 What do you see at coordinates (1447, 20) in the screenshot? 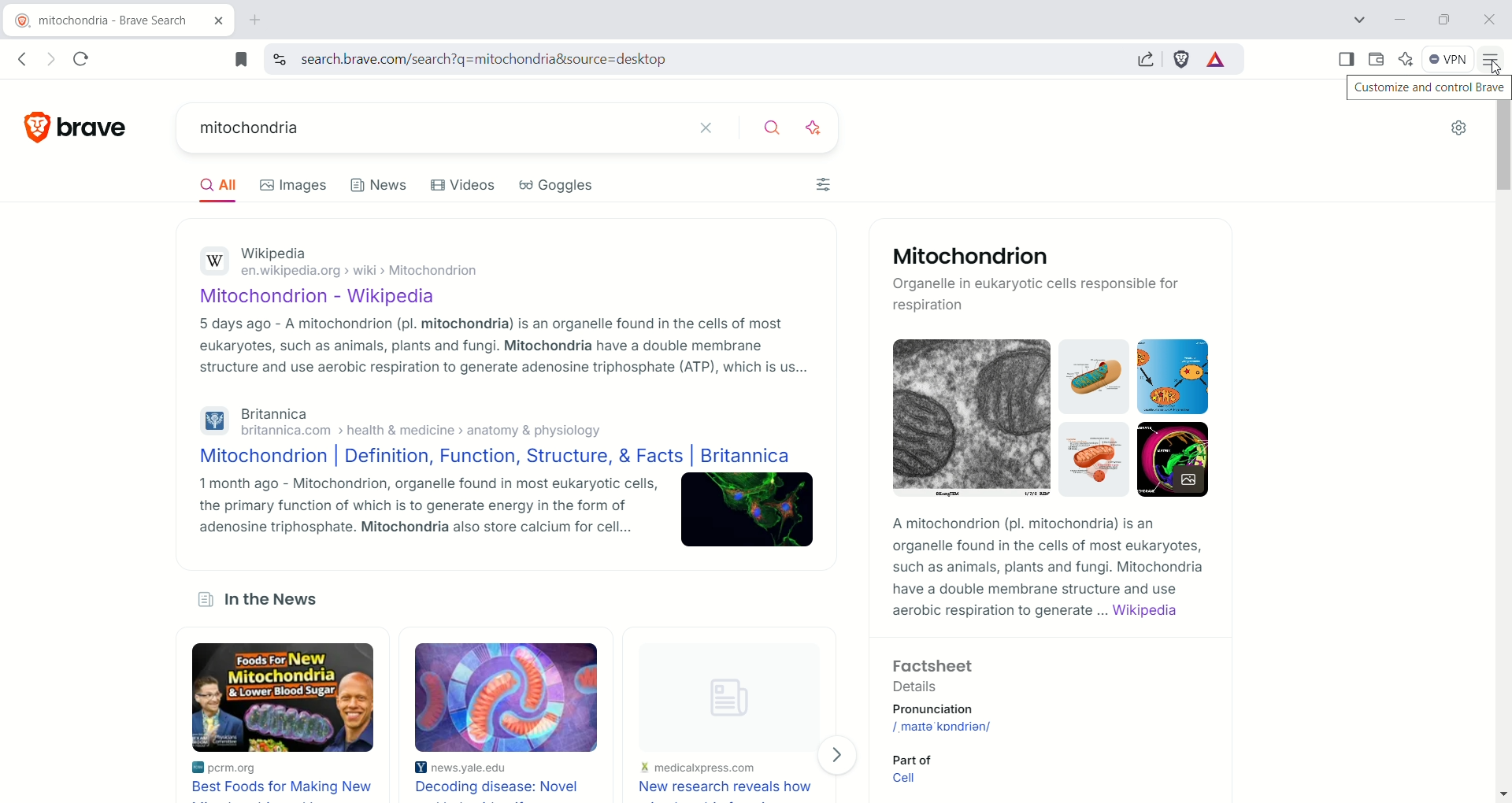
I see `maximize` at bounding box center [1447, 20].